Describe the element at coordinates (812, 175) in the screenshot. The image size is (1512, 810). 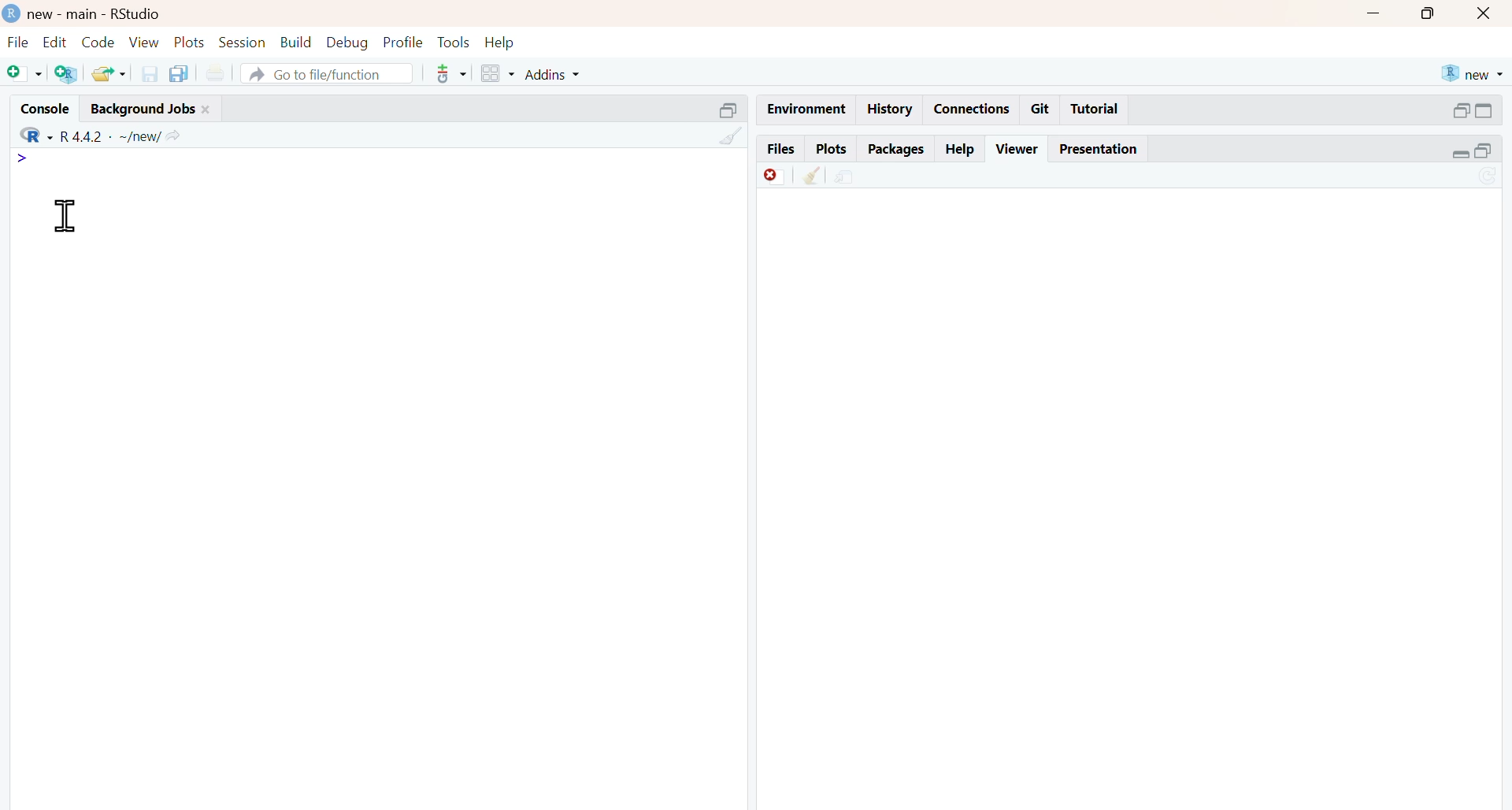
I see `Clean ` at that location.